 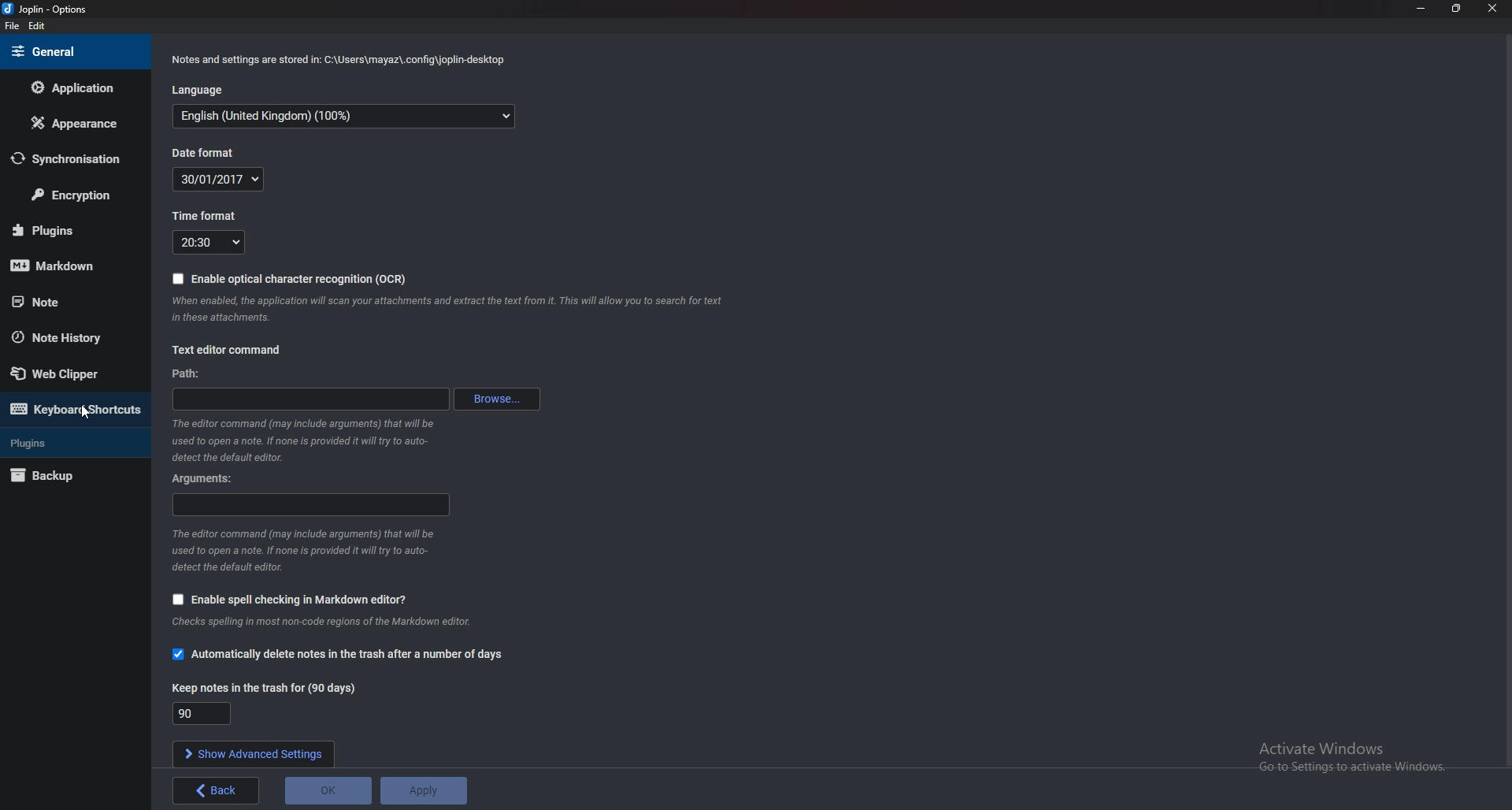 What do you see at coordinates (72, 409) in the screenshot?
I see `Keyboard shortcuts` at bounding box center [72, 409].